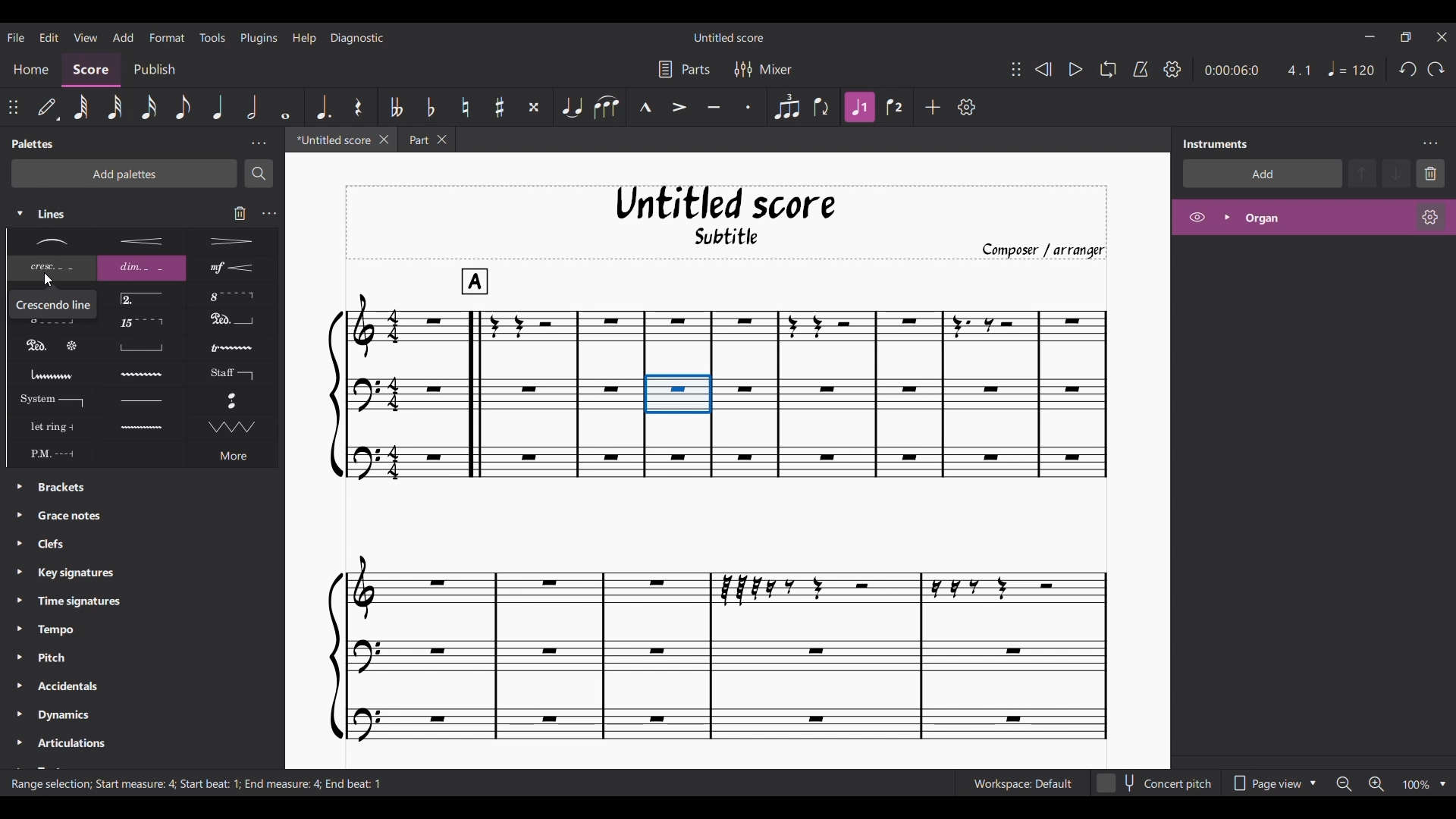 This screenshot has height=819, width=1456. What do you see at coordinates (607, 108) in the screenshot?
I see `Slur` at bounding box center [607, 108].